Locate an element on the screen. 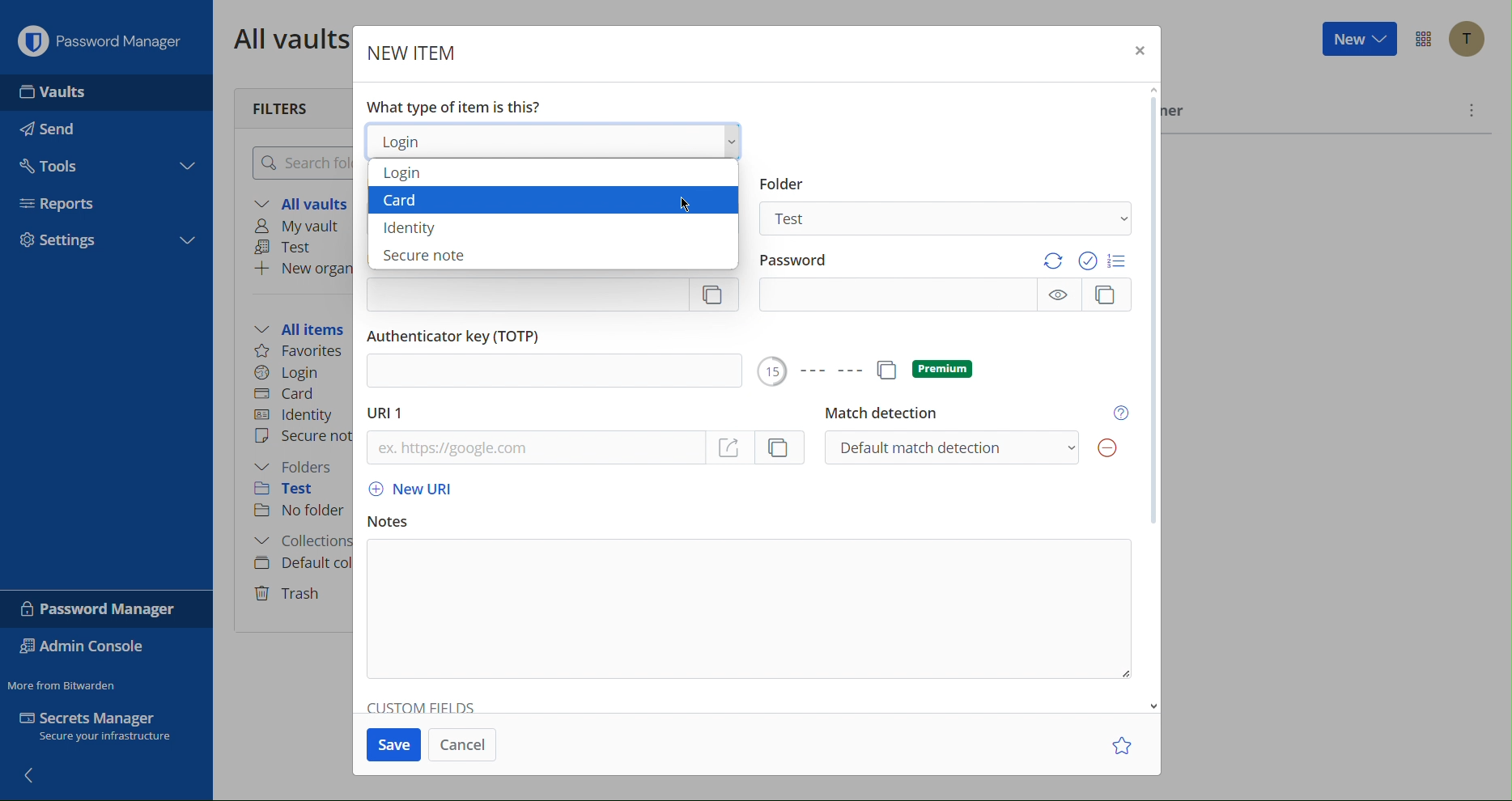 The image size is (1512, 801). Admin Console is located at coordinates (82, 648).